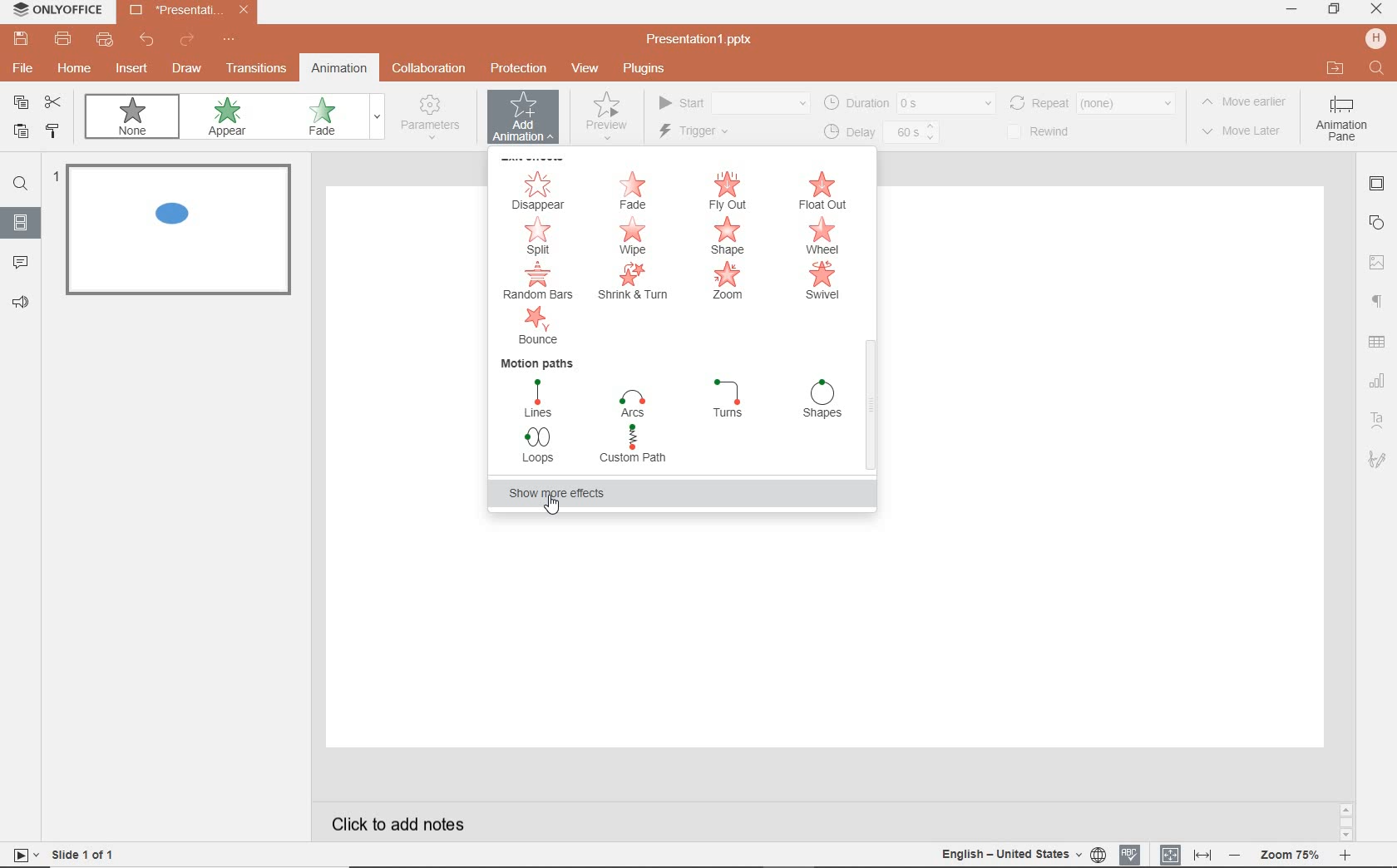 This screenshot has height=868, width=1397. I want to click on ZOOM, so click(730, 284).